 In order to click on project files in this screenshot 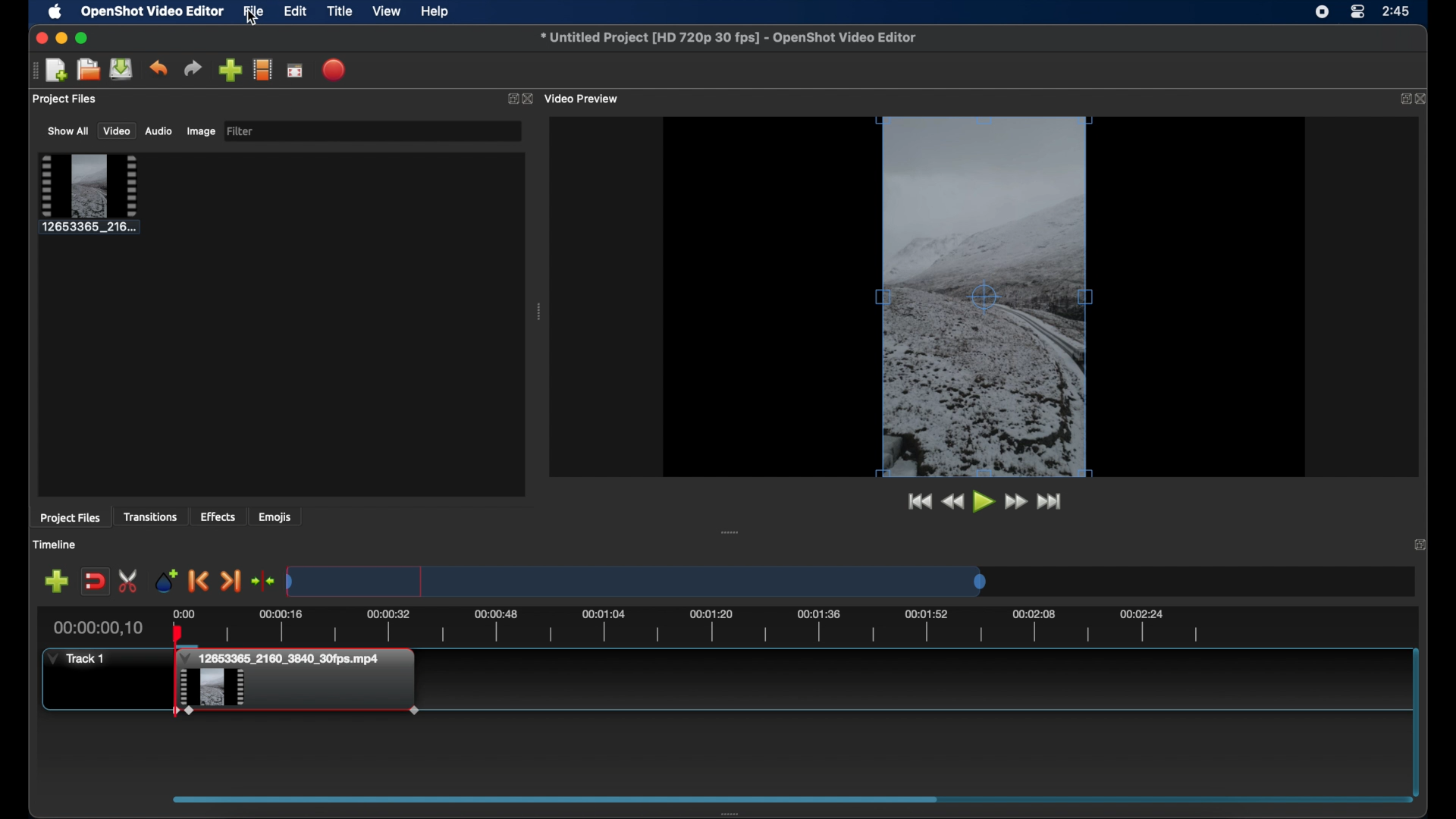, I will do `click(66, 100)`.